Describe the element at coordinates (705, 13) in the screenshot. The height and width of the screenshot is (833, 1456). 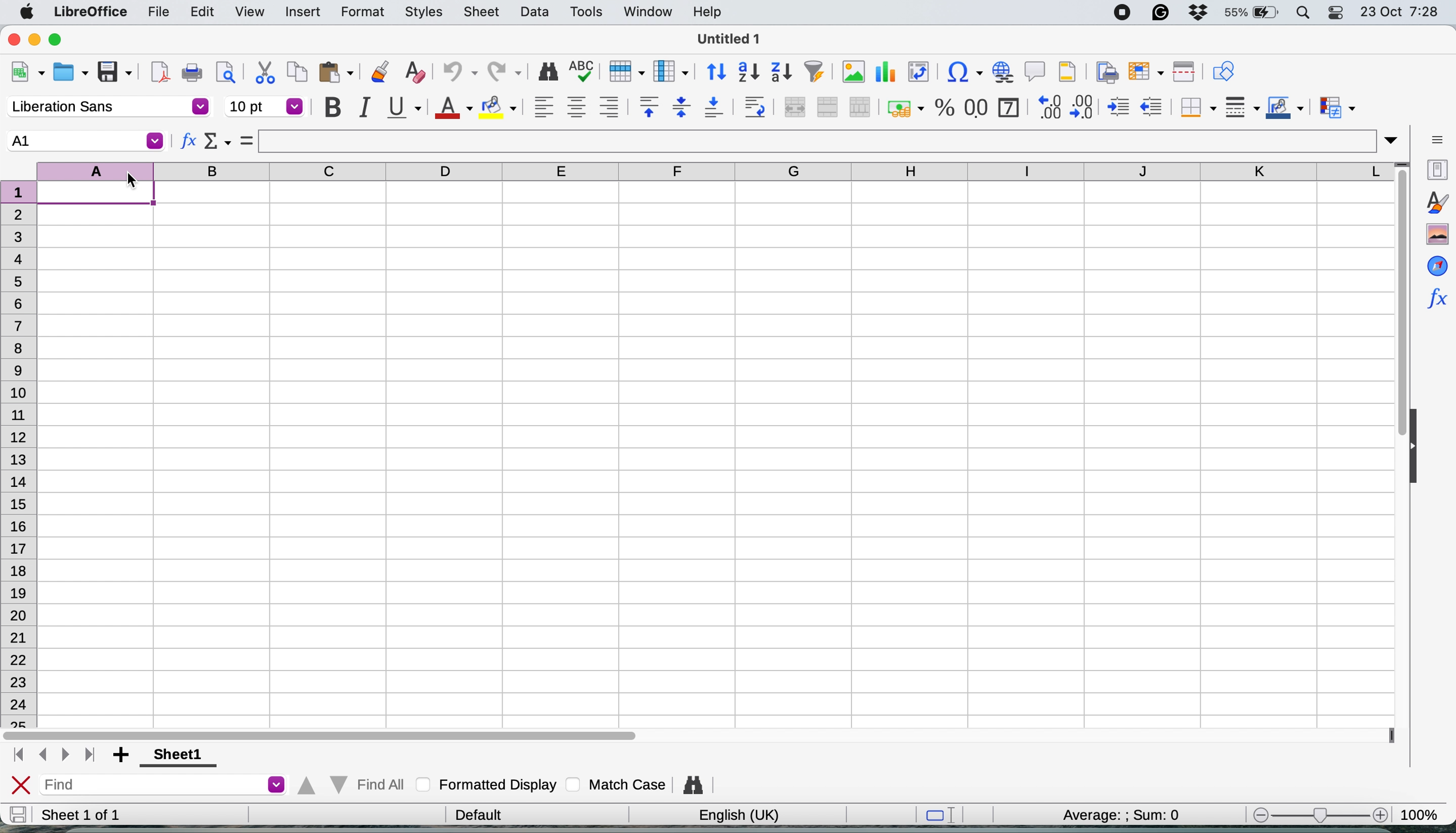
I see `help` at that location.